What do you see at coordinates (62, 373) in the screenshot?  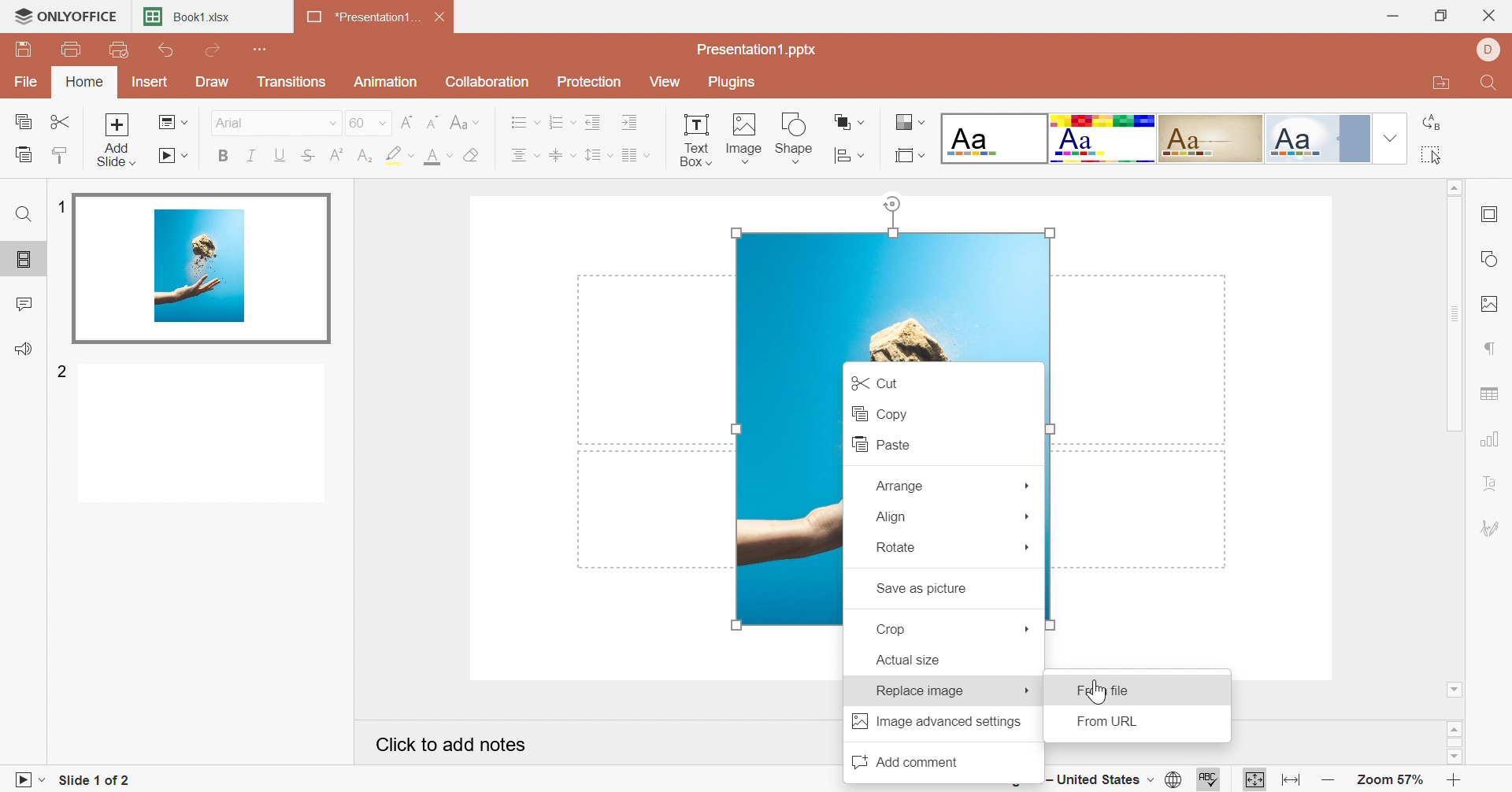 I see `2` at bounding box center [62, 373].